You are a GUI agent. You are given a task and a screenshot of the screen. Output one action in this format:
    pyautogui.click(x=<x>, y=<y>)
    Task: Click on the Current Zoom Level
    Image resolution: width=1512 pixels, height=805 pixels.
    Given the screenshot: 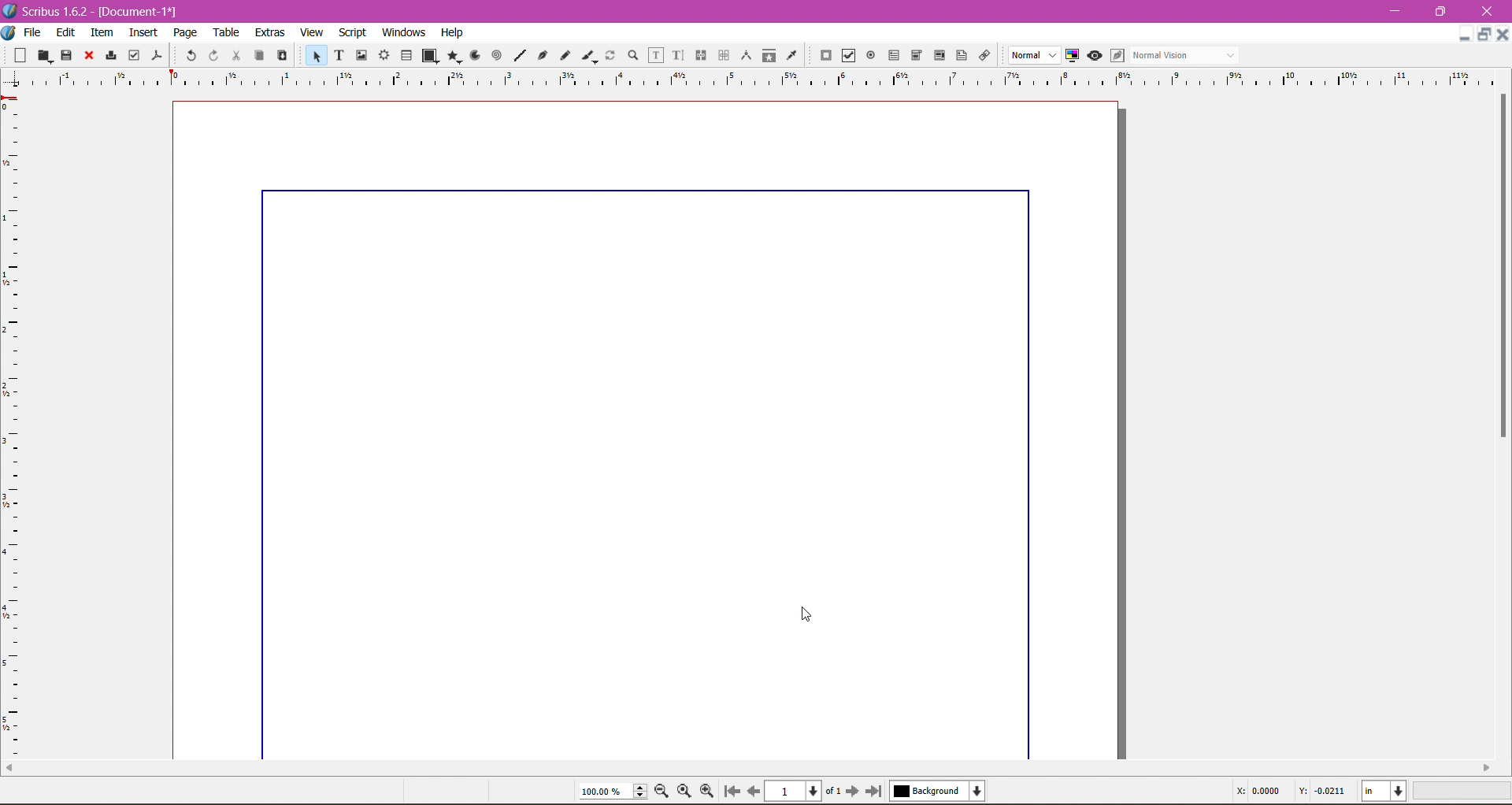 What is the action you would take?
    pyautogui.click(x=606, y=792)
    